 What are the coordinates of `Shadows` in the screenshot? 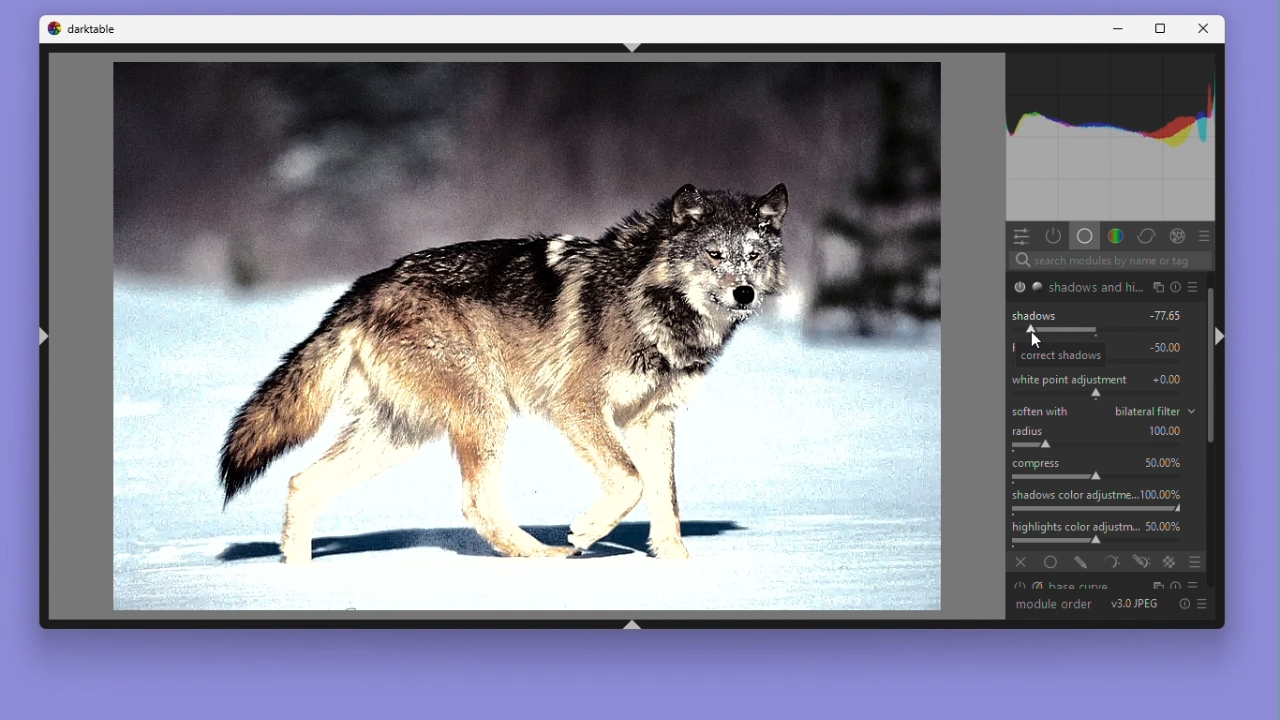 It's located at (1035, 314).